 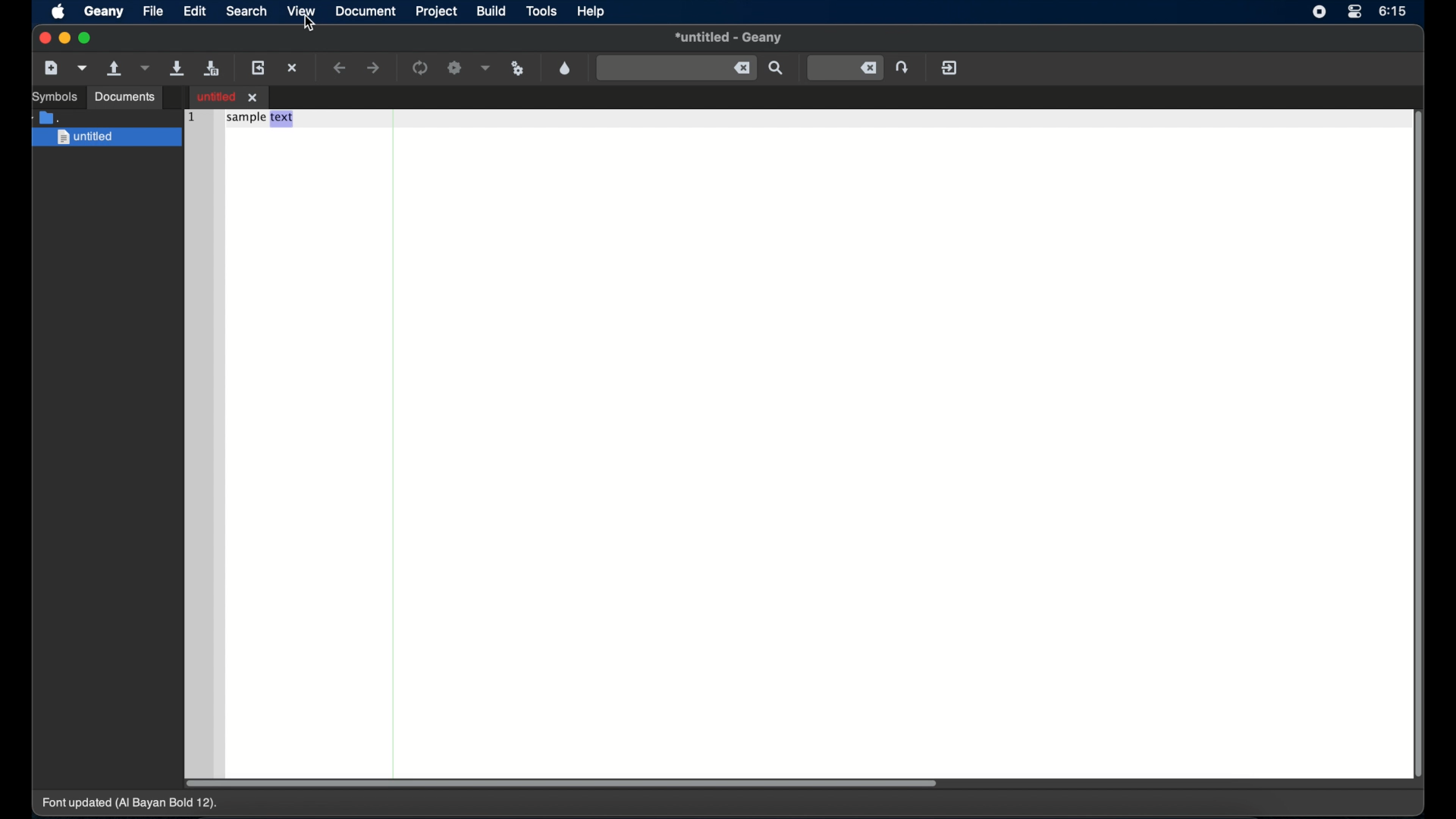 What do you see at coordinates (949, 67) in the screenshot?
I see `quit geany` at bounding box center [949, 67].